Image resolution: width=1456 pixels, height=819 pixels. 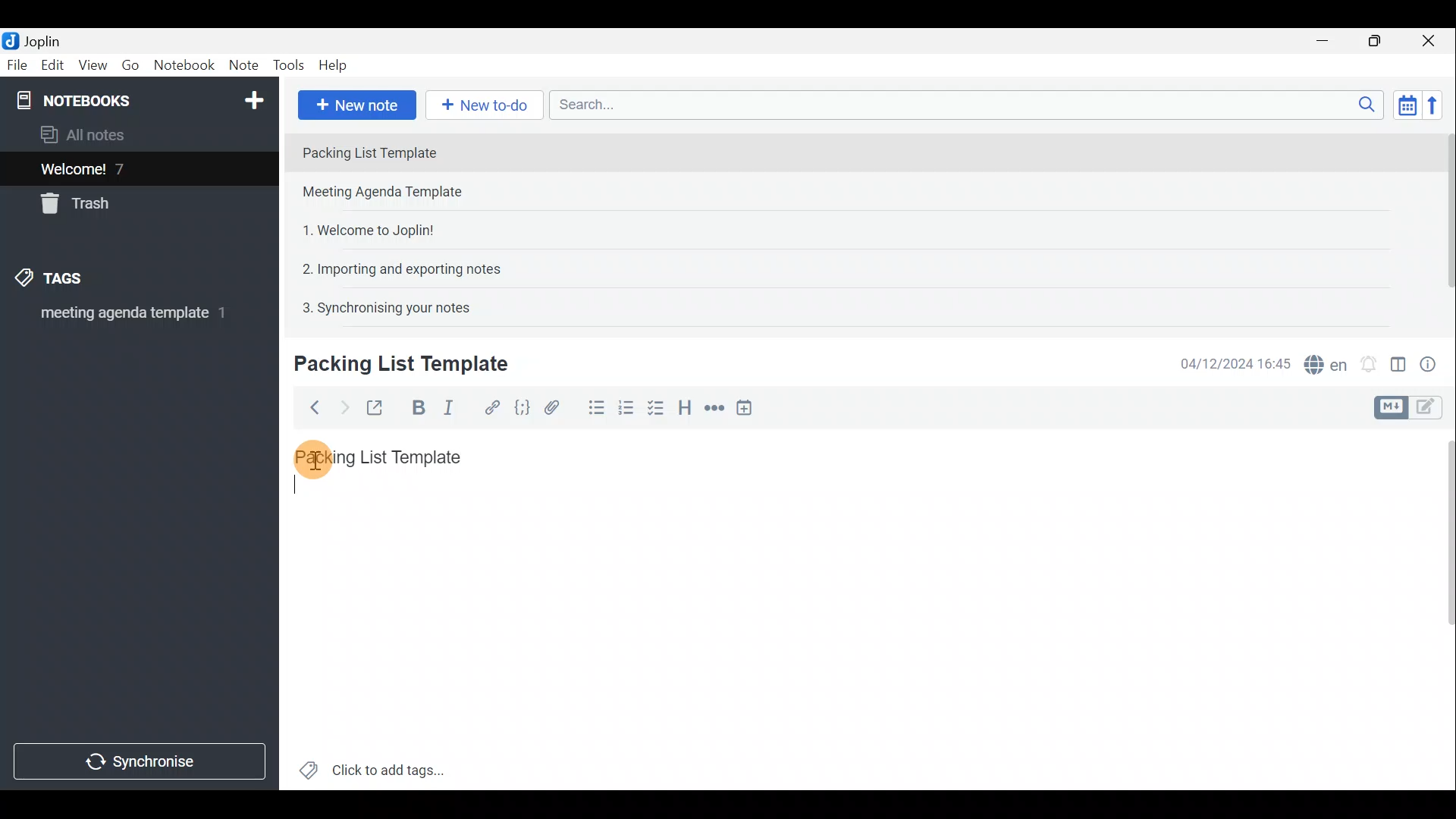 What do you see at coordinates (1393, 406) in the screenshot?
I see `Toggle editors` at bounding box center [1393, 406].